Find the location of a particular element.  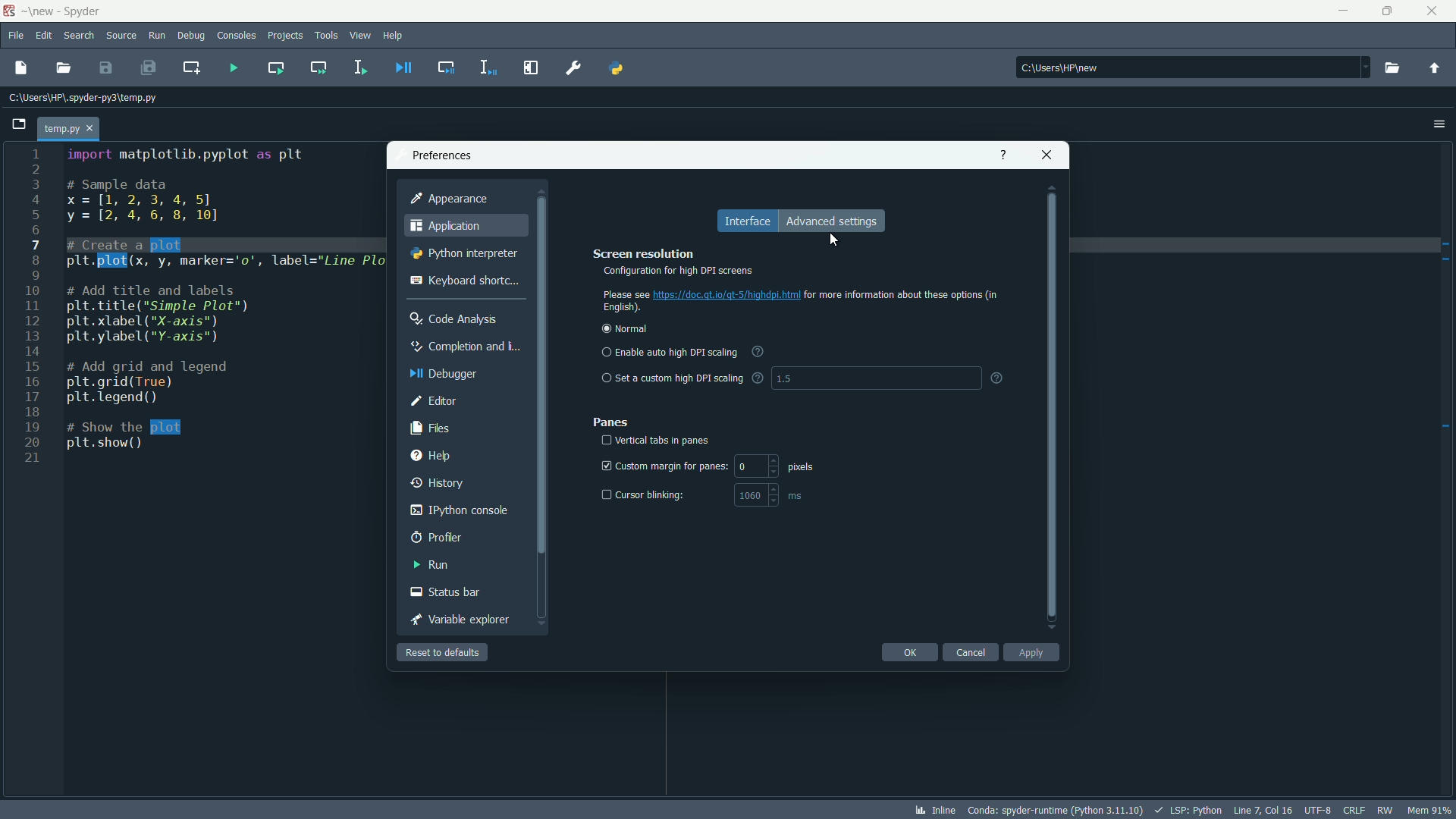

run file is located at coordinates (233, 70).